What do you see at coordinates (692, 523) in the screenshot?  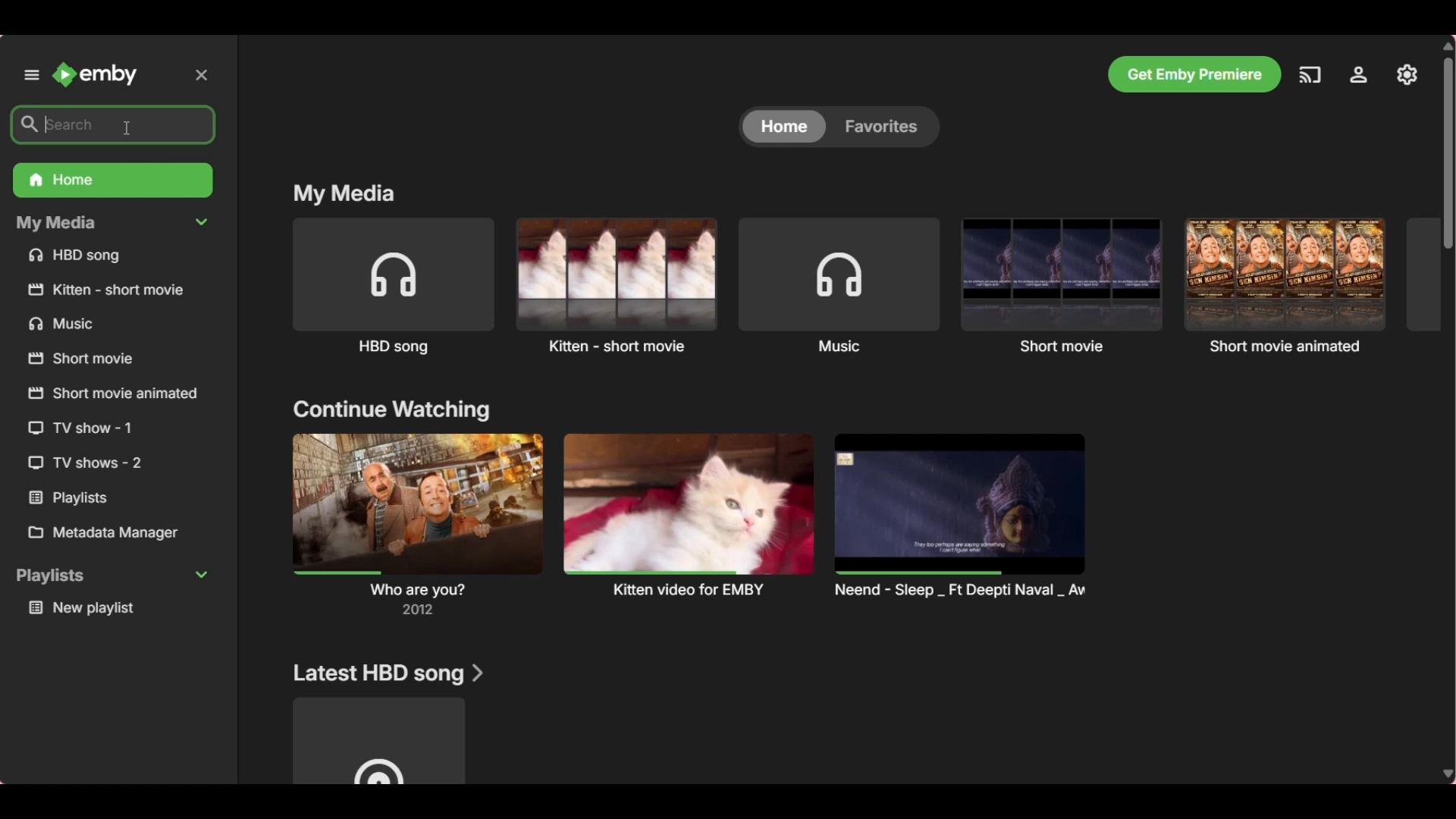 I see `Media under current section and their respective titles` at bounding box center [692, 523].